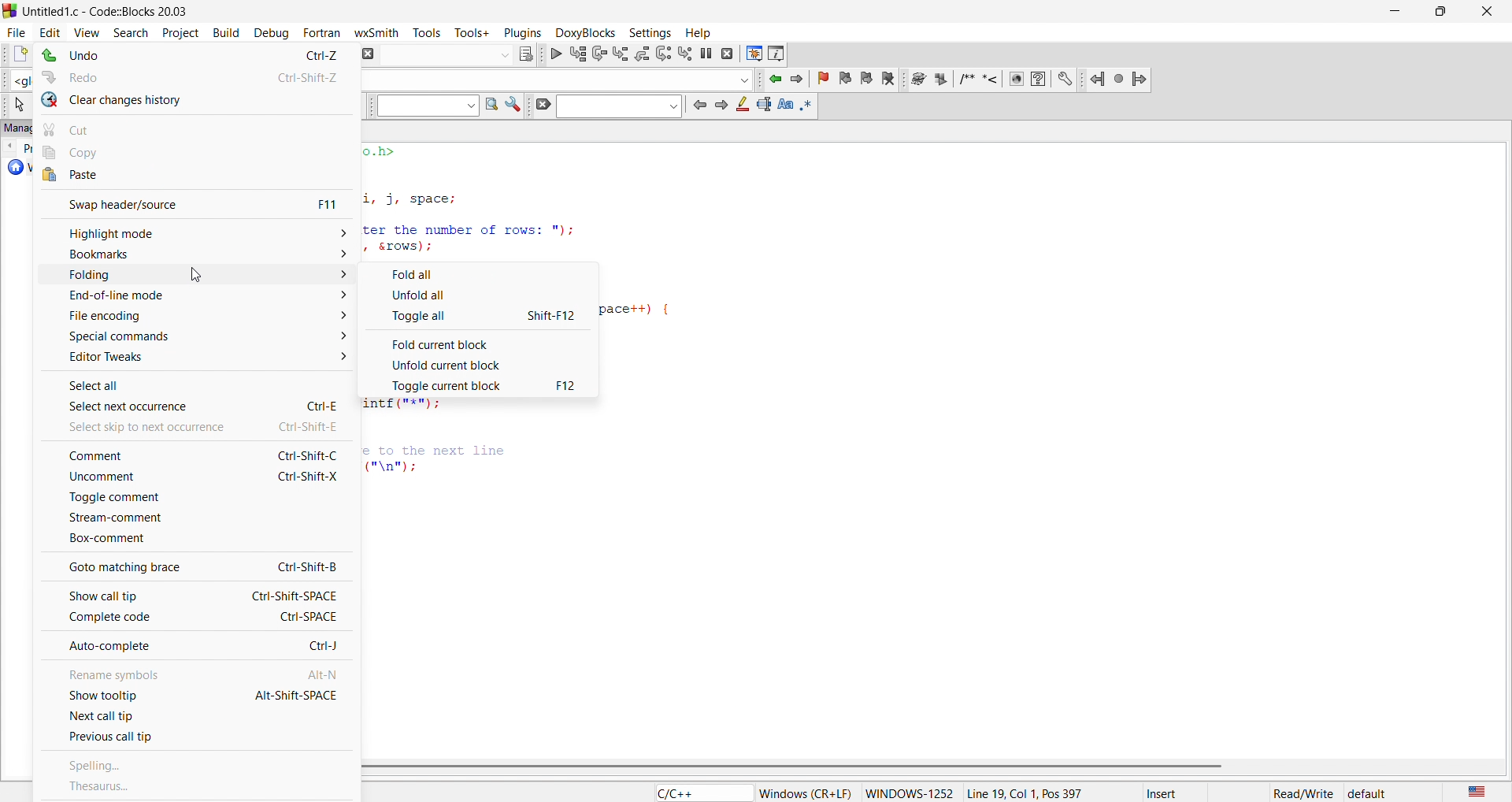 The width and height of the screenshot is (1512, 802). What do you see at coordinates (696, 32) in the screenshot?
I see `help` at bounding box center [696, 32].